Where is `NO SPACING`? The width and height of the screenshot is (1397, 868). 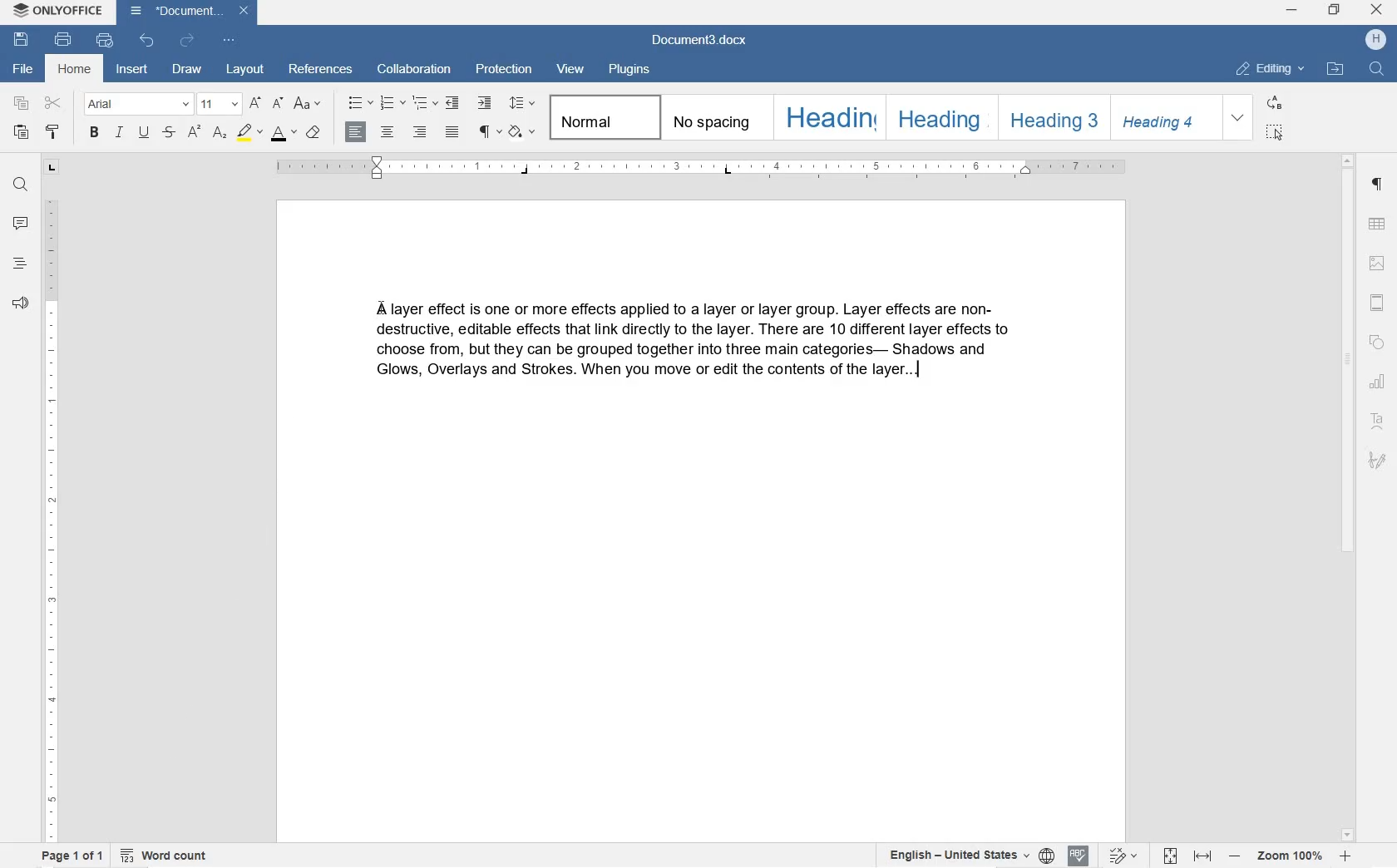
NO SPACING is located at coordinates (713, 119).